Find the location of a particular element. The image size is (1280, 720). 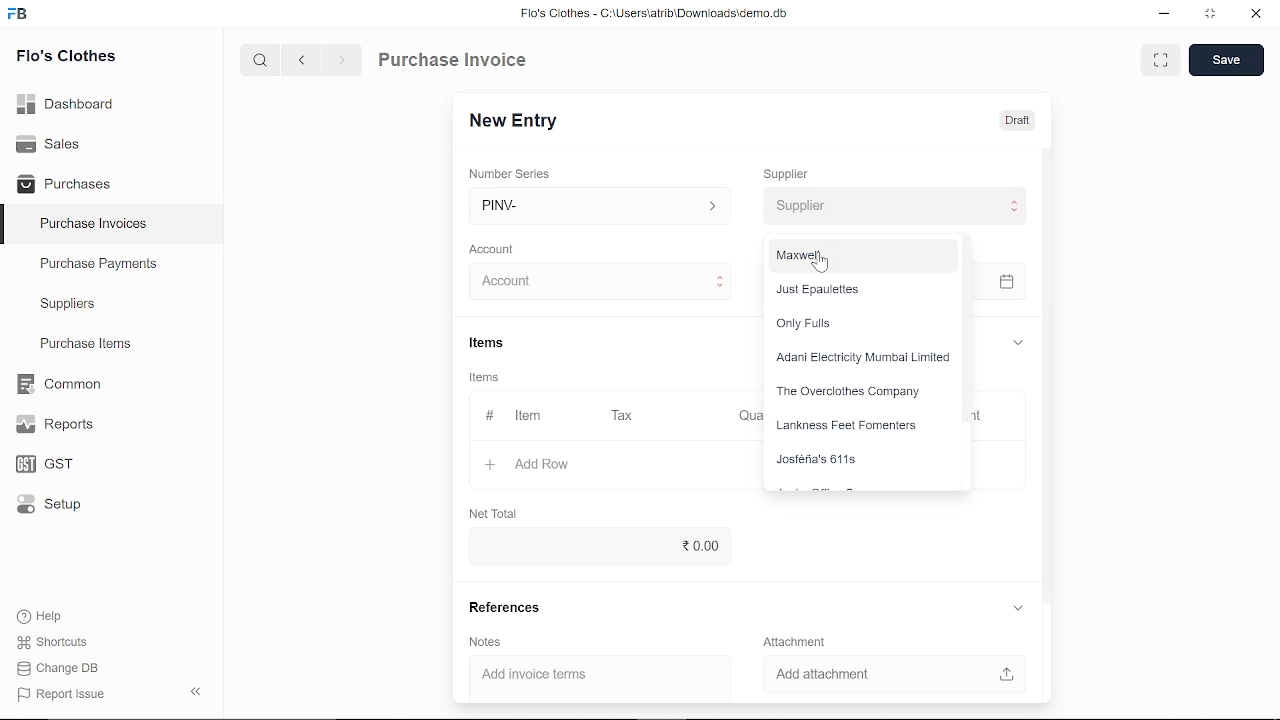

Setup is located at coordinates (44, 508).